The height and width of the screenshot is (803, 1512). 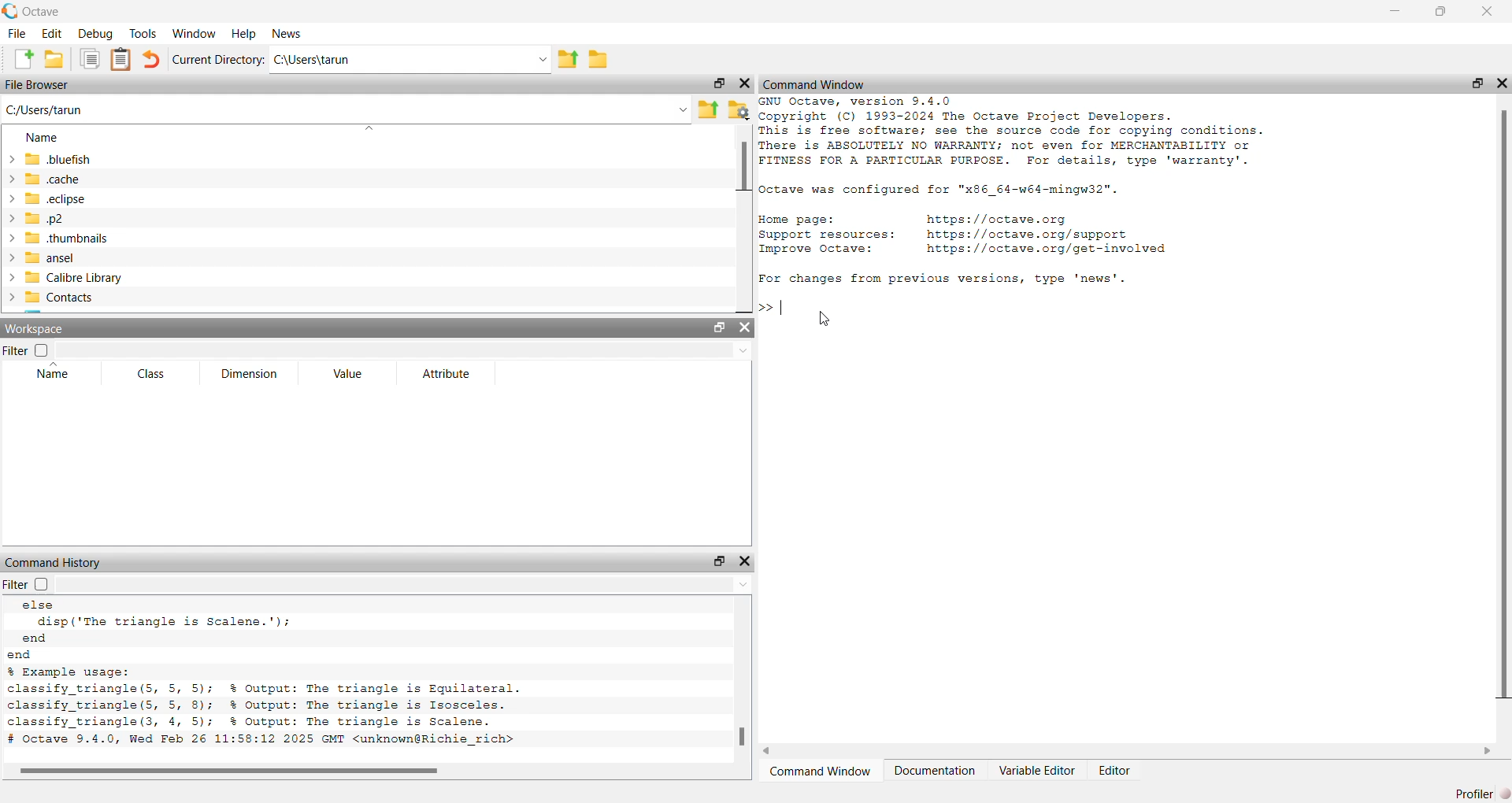 What do you see at coordinates (1473, 82) in the screenshot?
I see `unlock widget` at bounding box center [1473, 82].